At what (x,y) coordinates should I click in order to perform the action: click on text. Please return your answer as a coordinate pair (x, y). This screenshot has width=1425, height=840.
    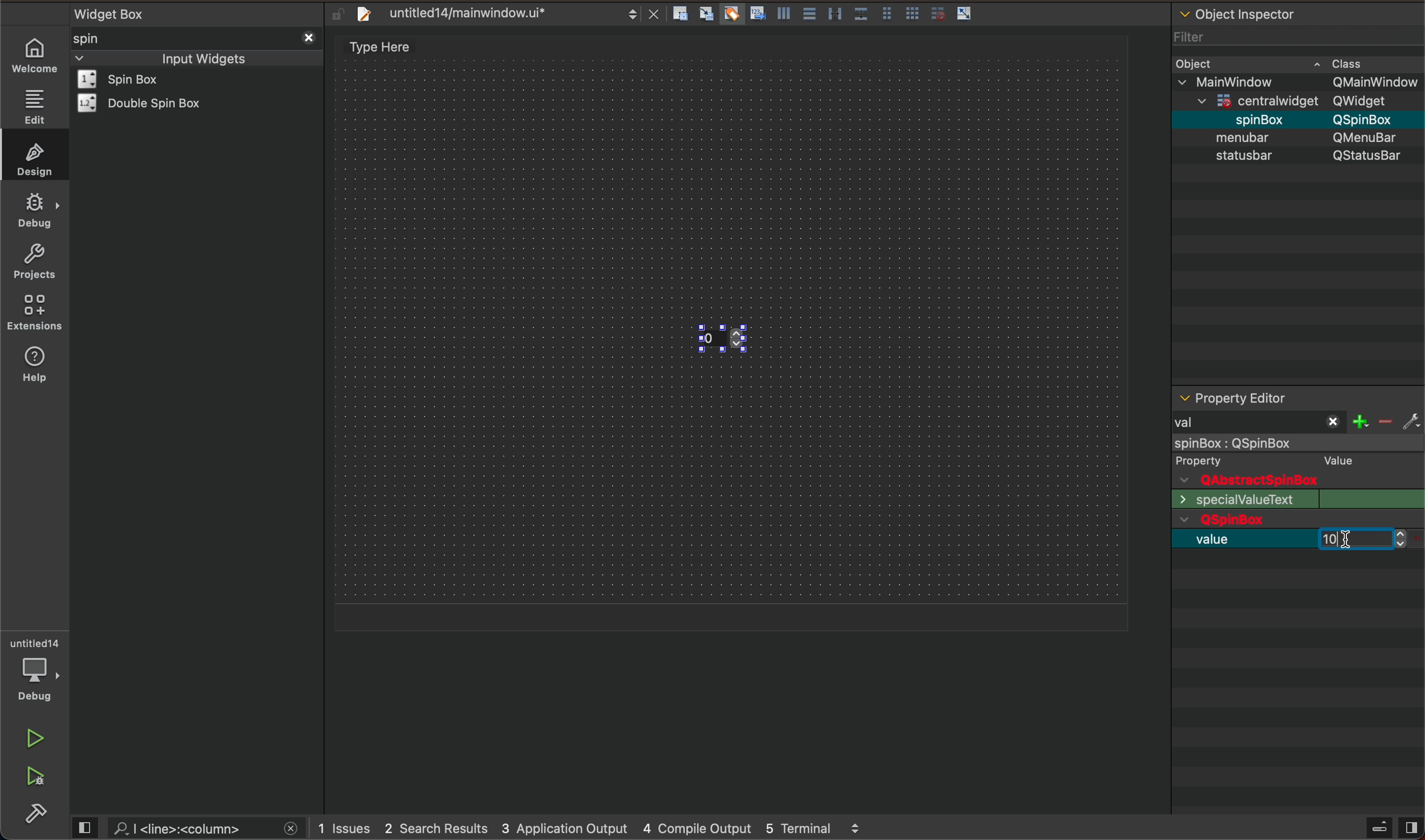
    Looking at the image, I should click on (1248, 480).